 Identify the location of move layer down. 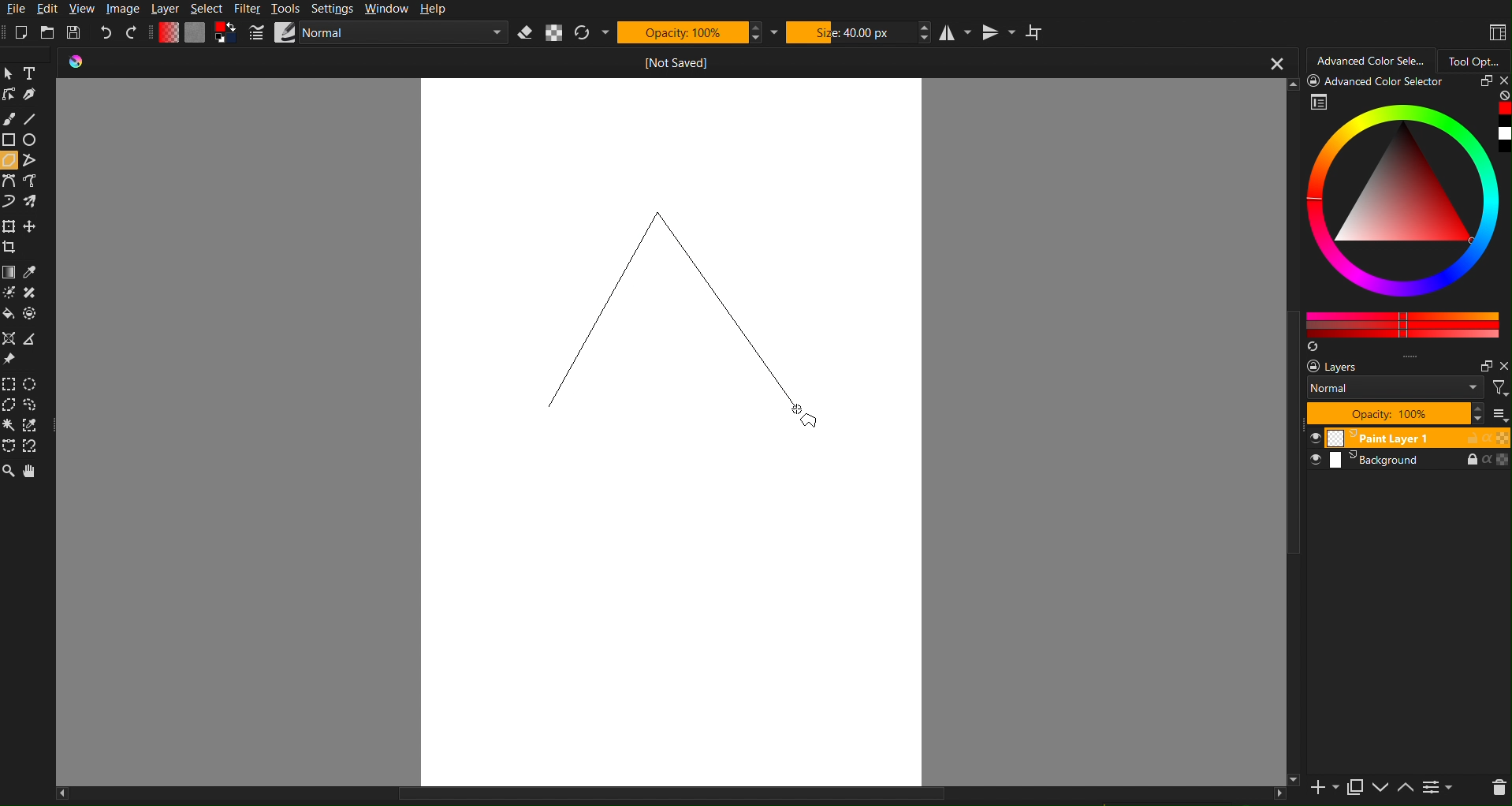
(1383, 789).